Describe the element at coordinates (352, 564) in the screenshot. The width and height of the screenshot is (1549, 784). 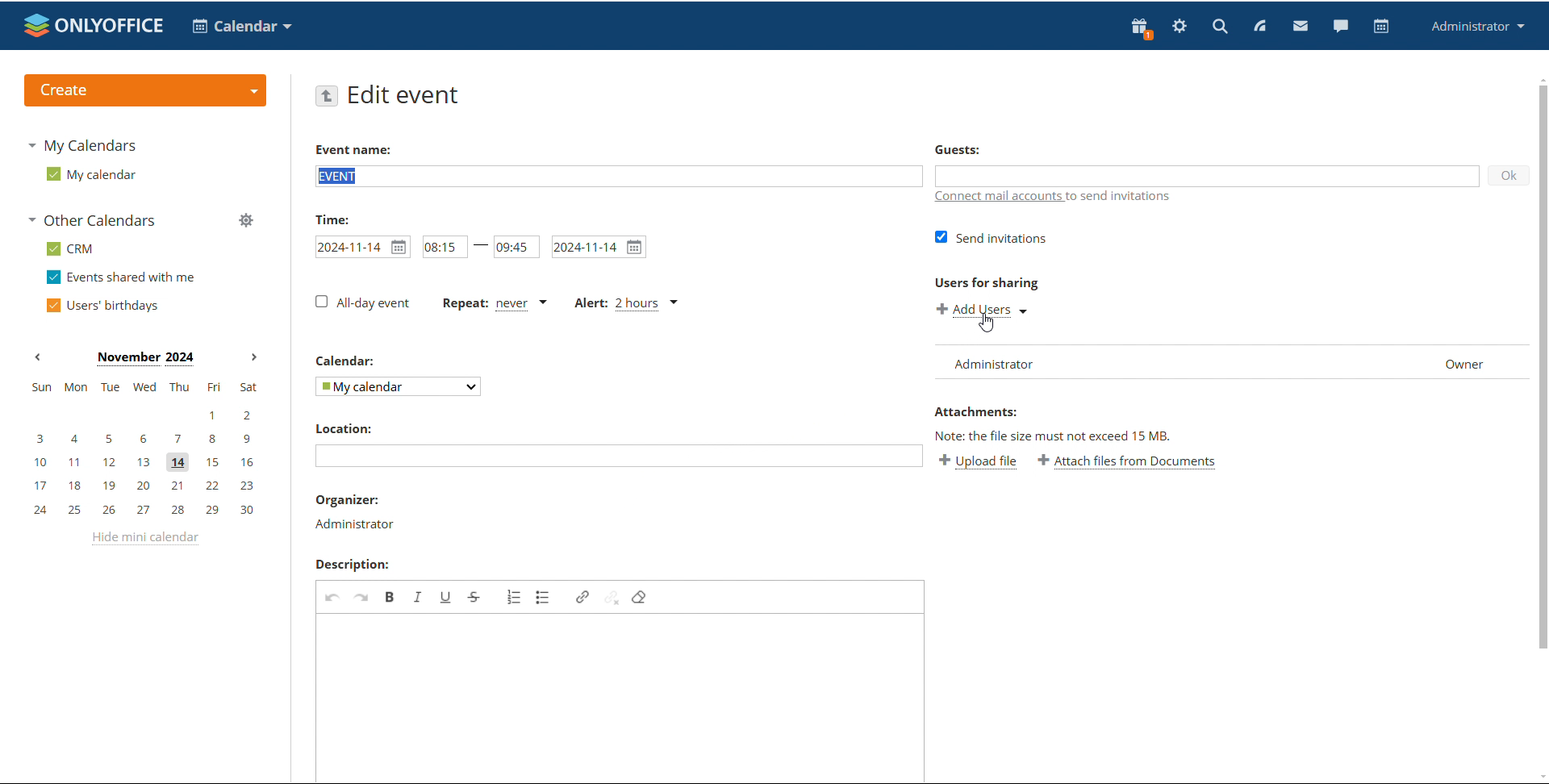
I see `Description` at that location.